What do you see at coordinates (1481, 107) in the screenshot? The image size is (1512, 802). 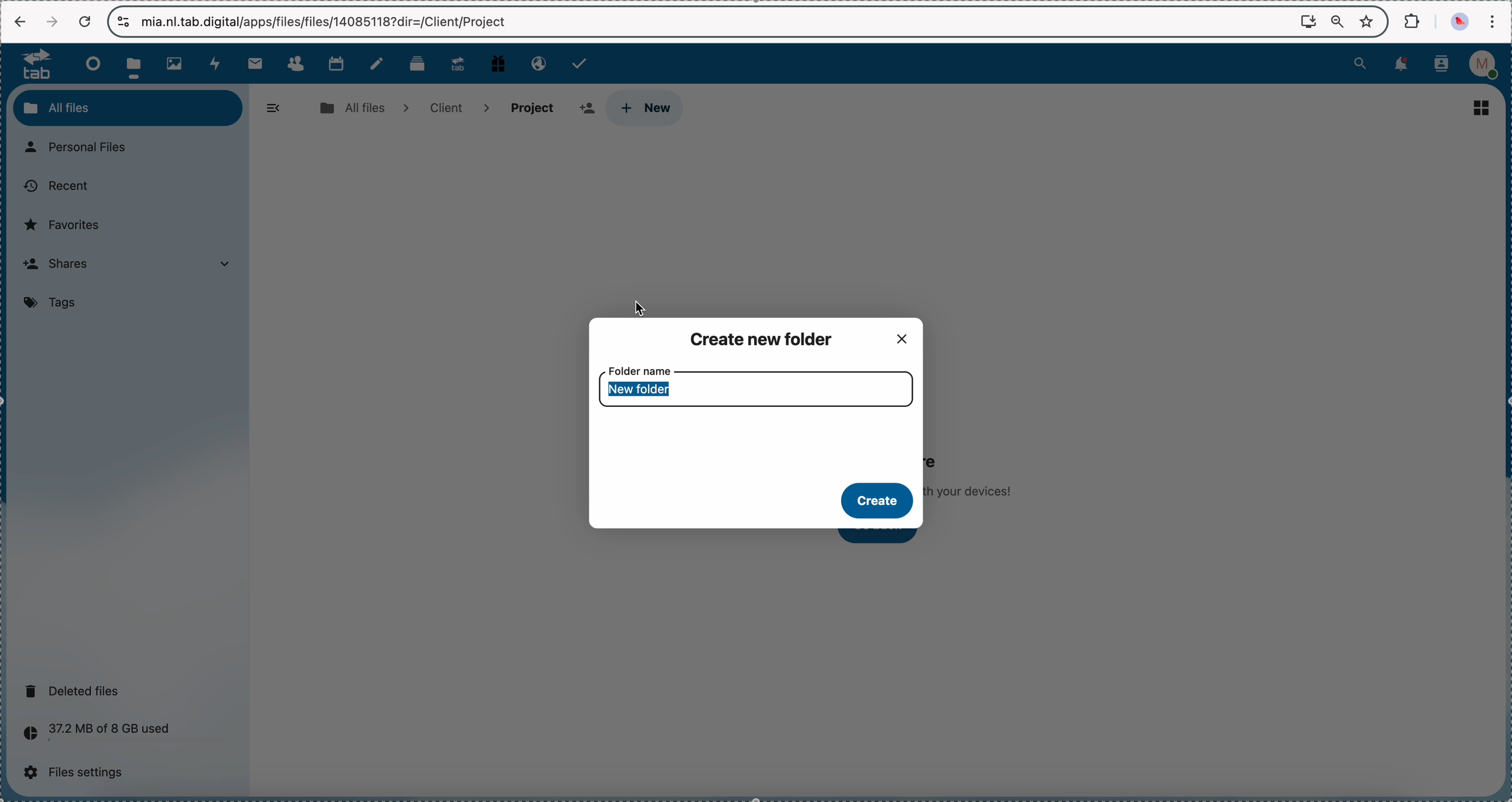 I see `list view` at bounding box center [1481, 107].